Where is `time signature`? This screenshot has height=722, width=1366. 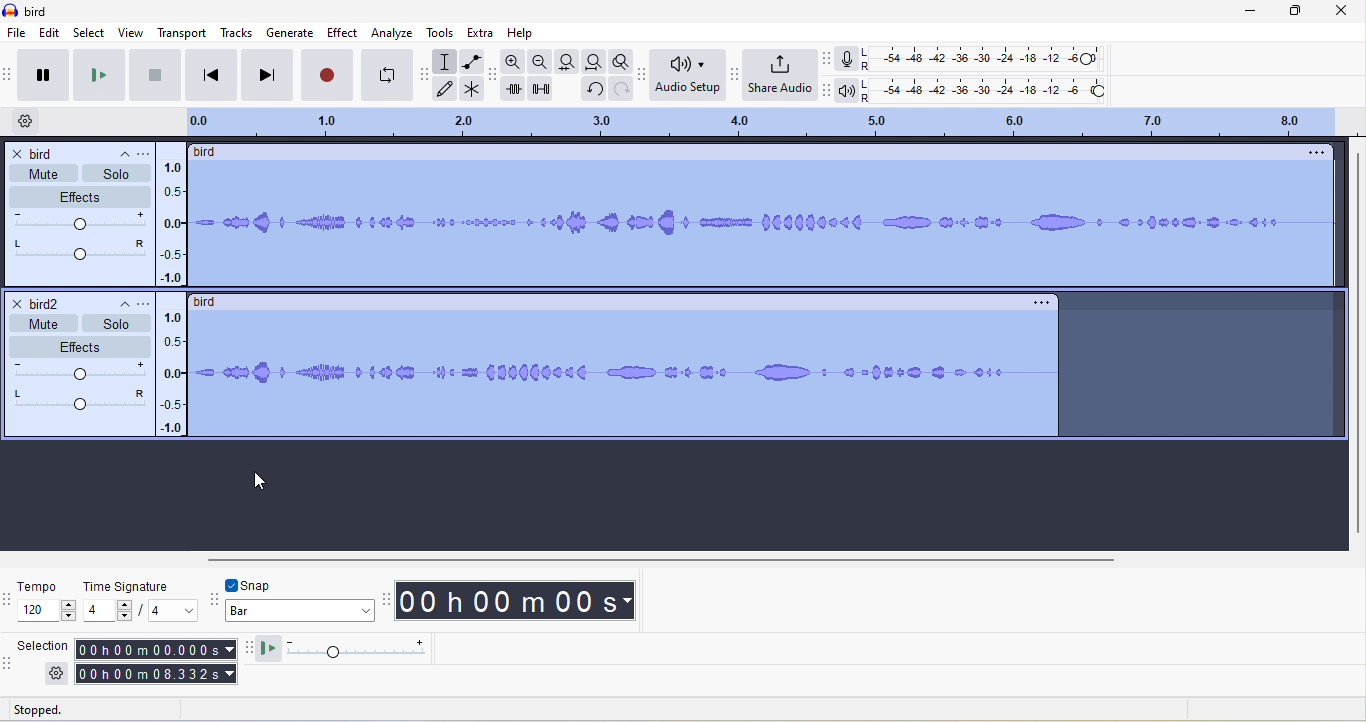
time signature is located at coordinates (139, 602).